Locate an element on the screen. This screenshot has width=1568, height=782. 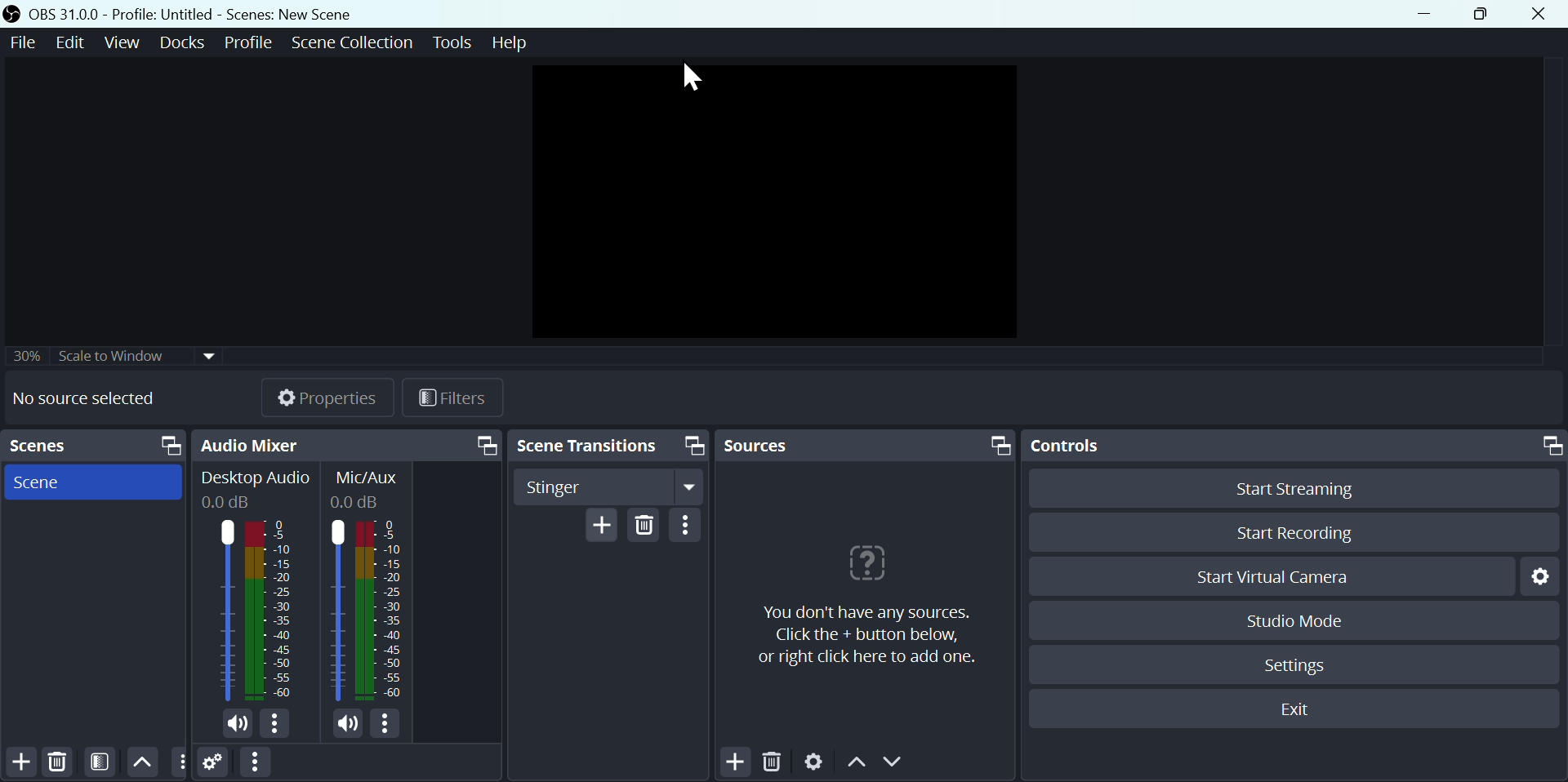
minimise is located at coordinates (1430, 14).